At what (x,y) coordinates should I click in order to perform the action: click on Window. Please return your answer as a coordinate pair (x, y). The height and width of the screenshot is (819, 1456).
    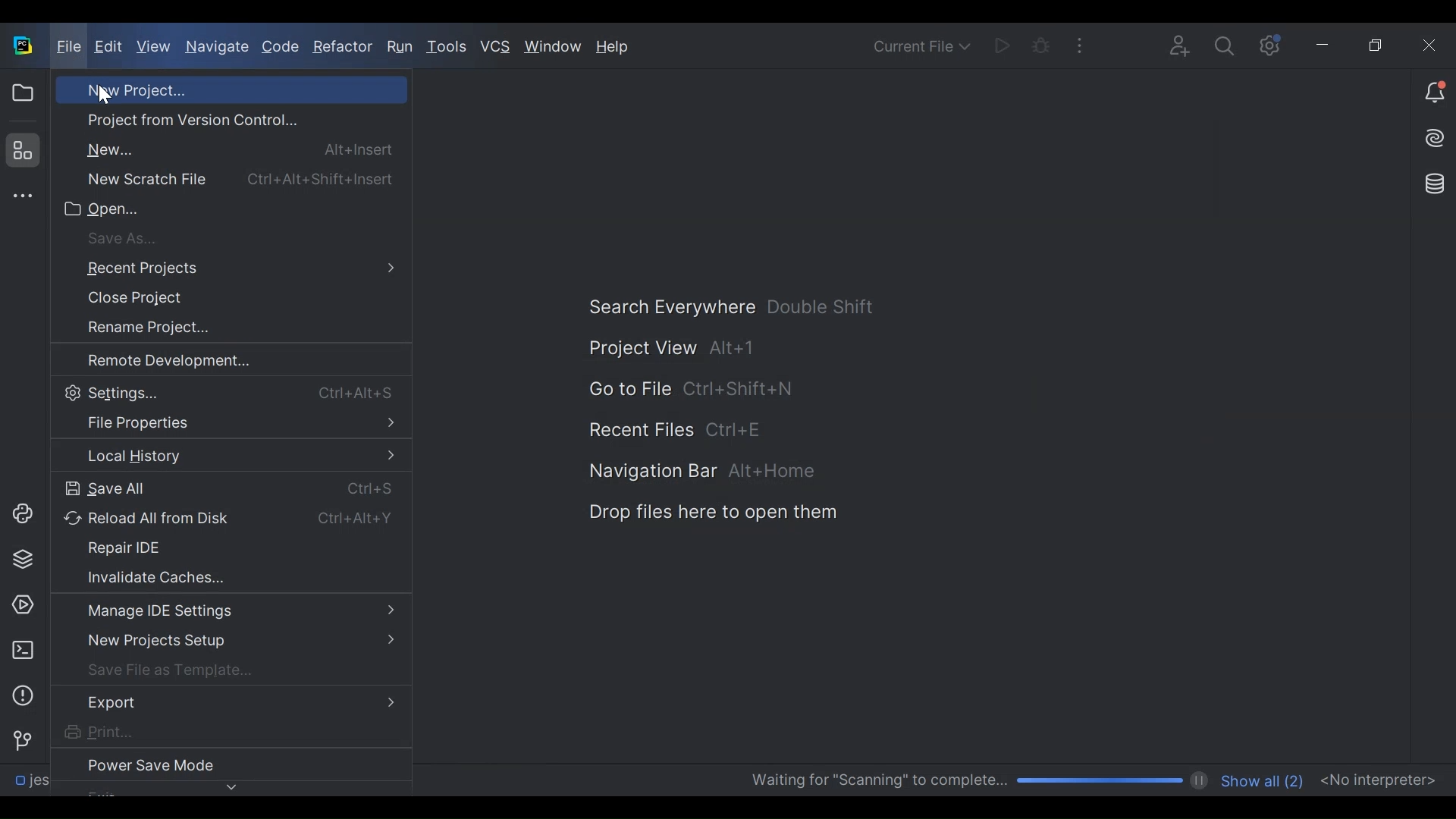
    Looking at the image, I should click on (553, 48).